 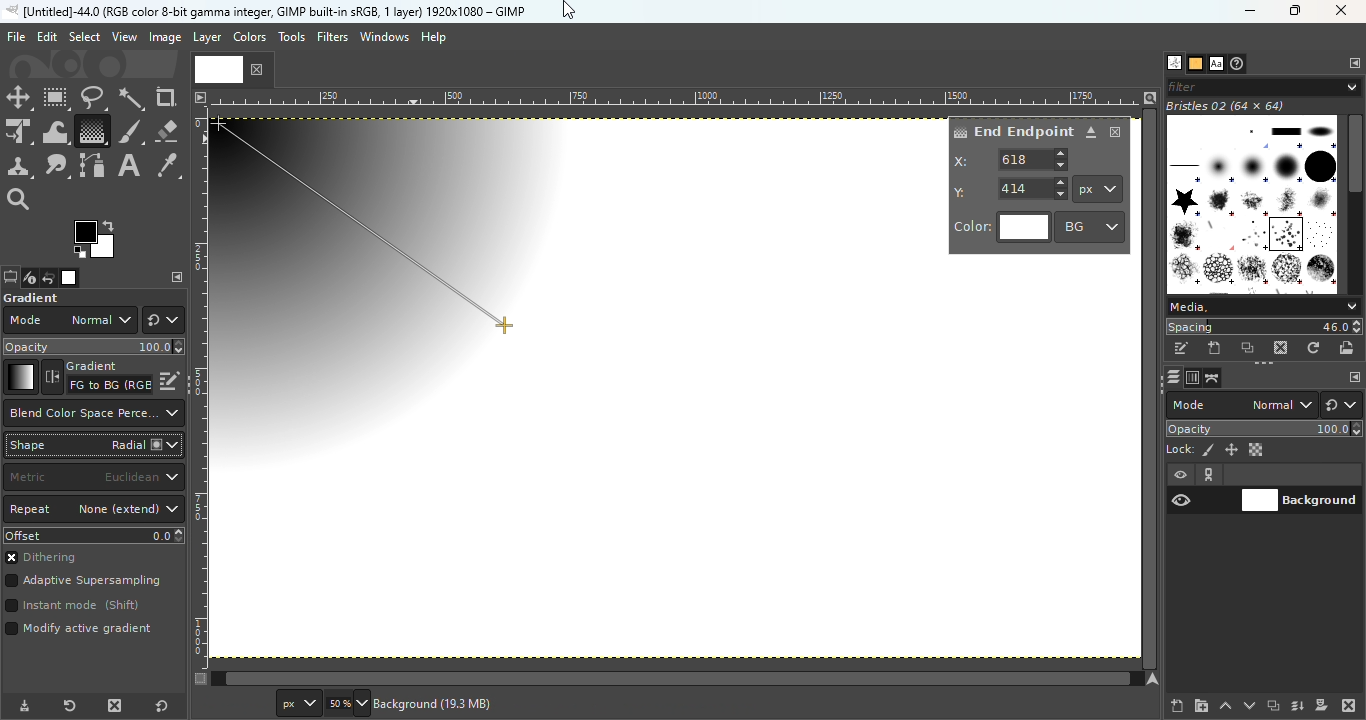 What do you see at coordinates (9, 279) in the screenshot?
I see `Open the tools option dialog` at bounding box center [9, 279].